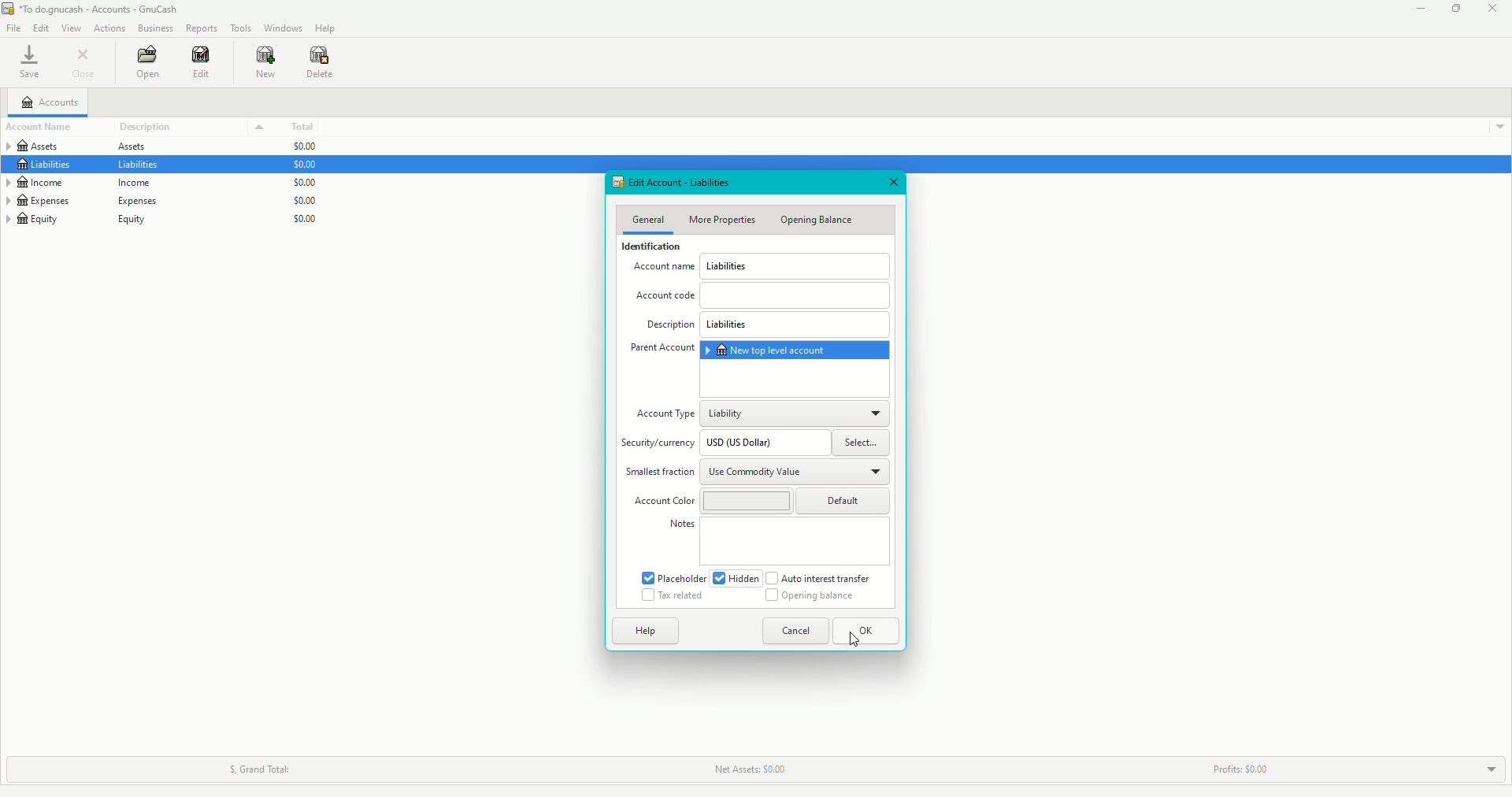  Describe the element at coordinates (1495, 126) in the screenshot. I see `Drop down` at that location.